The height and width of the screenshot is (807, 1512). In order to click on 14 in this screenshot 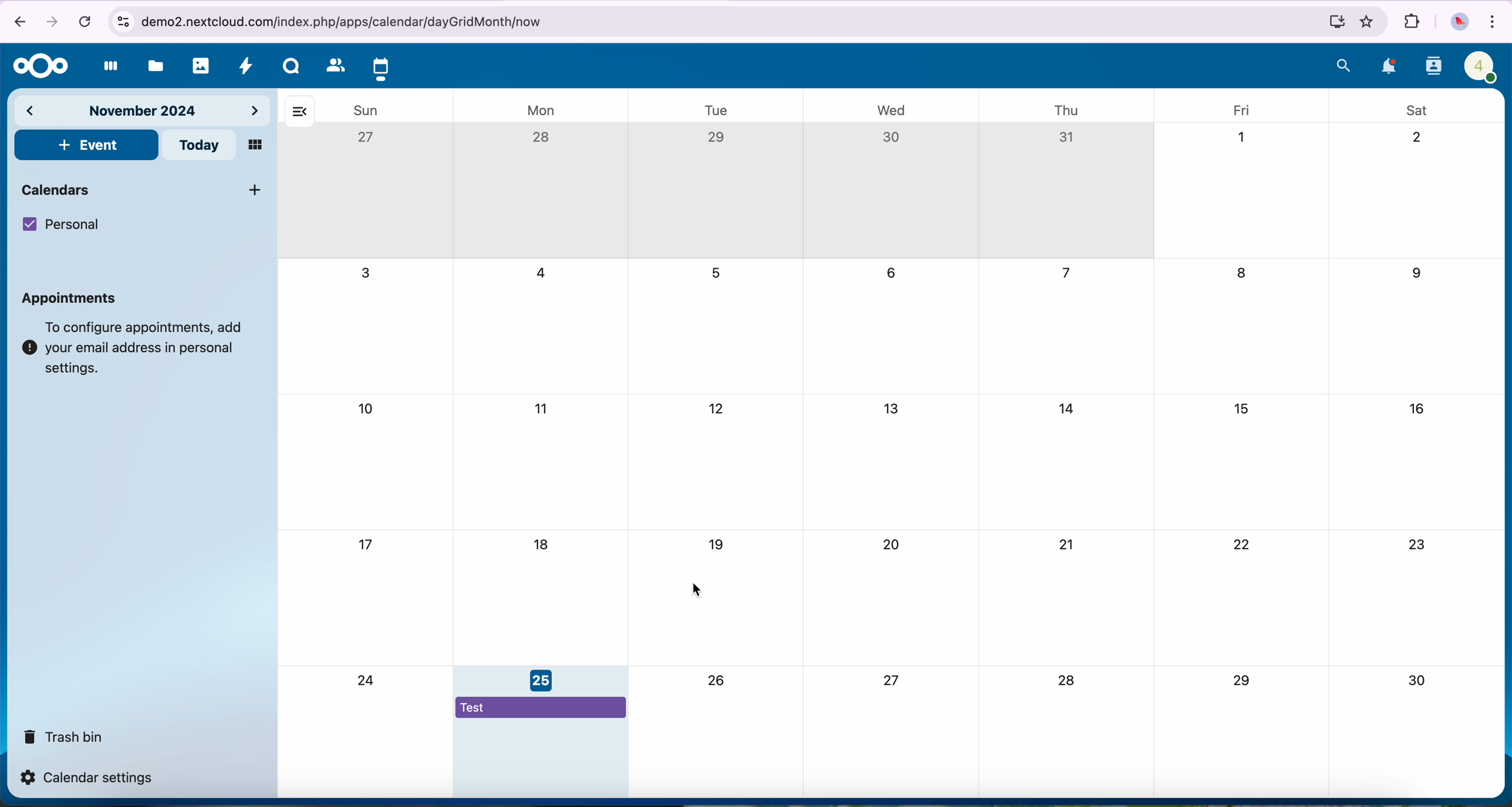, I will do `click(1071, 410)`.